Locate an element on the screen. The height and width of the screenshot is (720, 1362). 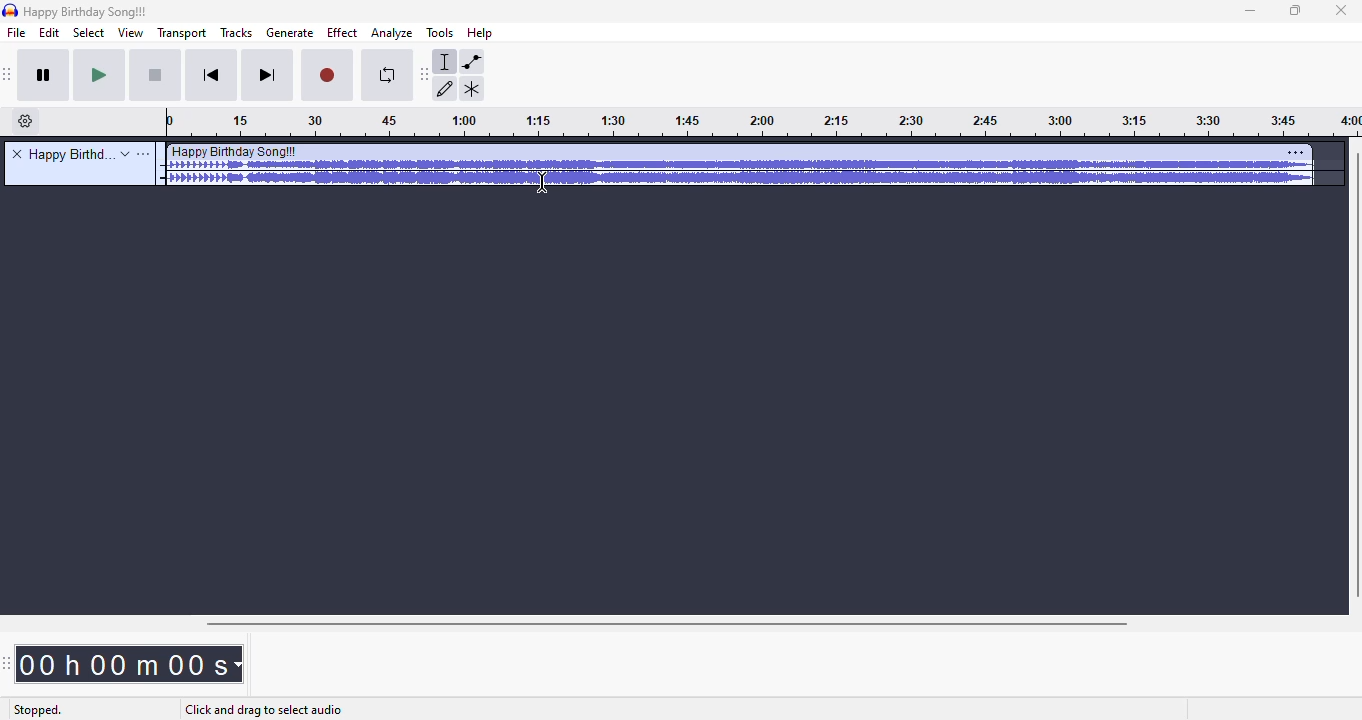
stop is located at coordinates (157, 77).